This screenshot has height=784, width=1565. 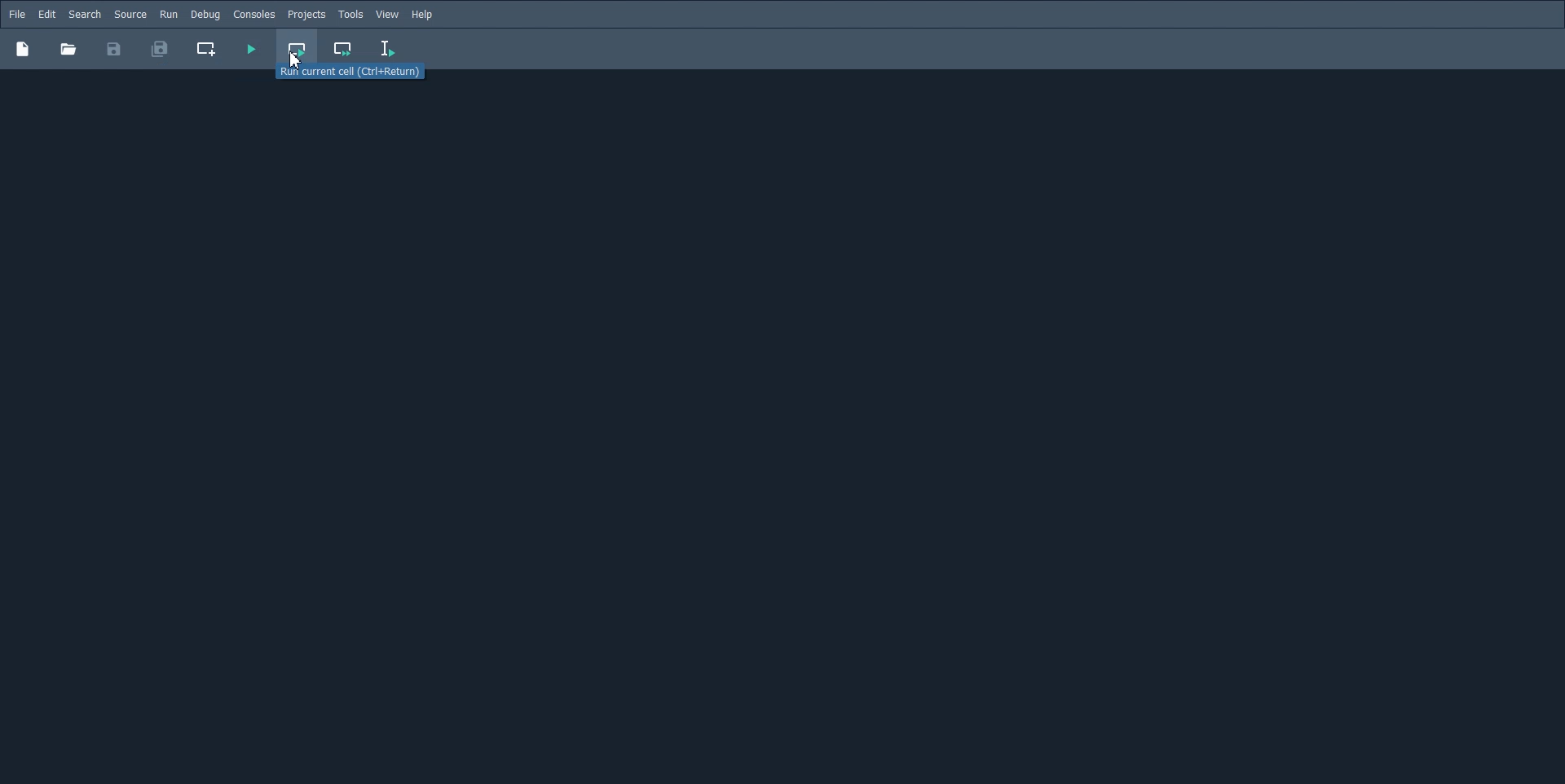 I want to click on Projects, so click(x=306, y=15).